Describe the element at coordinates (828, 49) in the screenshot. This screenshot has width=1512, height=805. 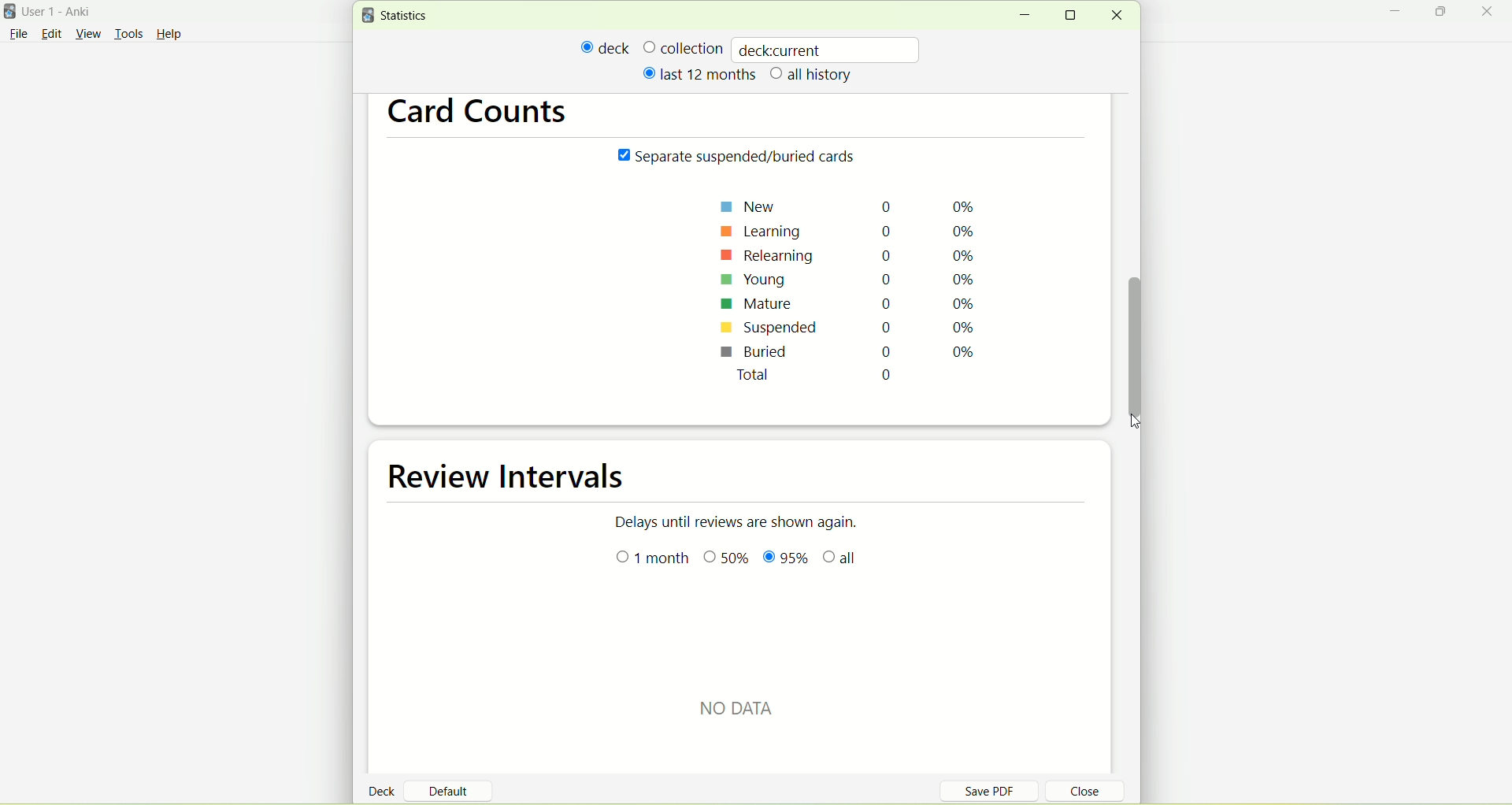
I see `deckcurrent` at that location.